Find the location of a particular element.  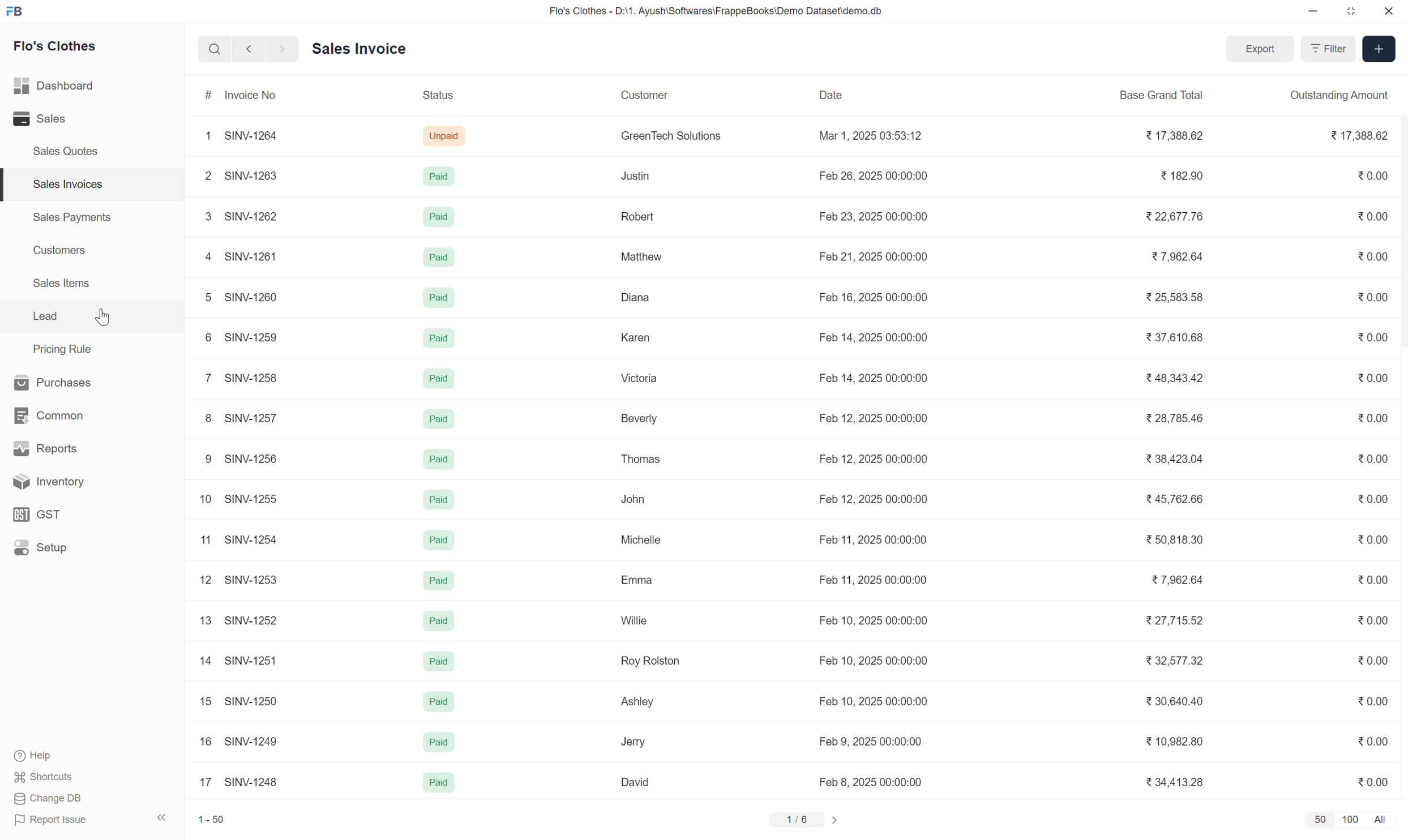

Feb 12, 2025 00:00:00 is located at coordinates (876, 458).